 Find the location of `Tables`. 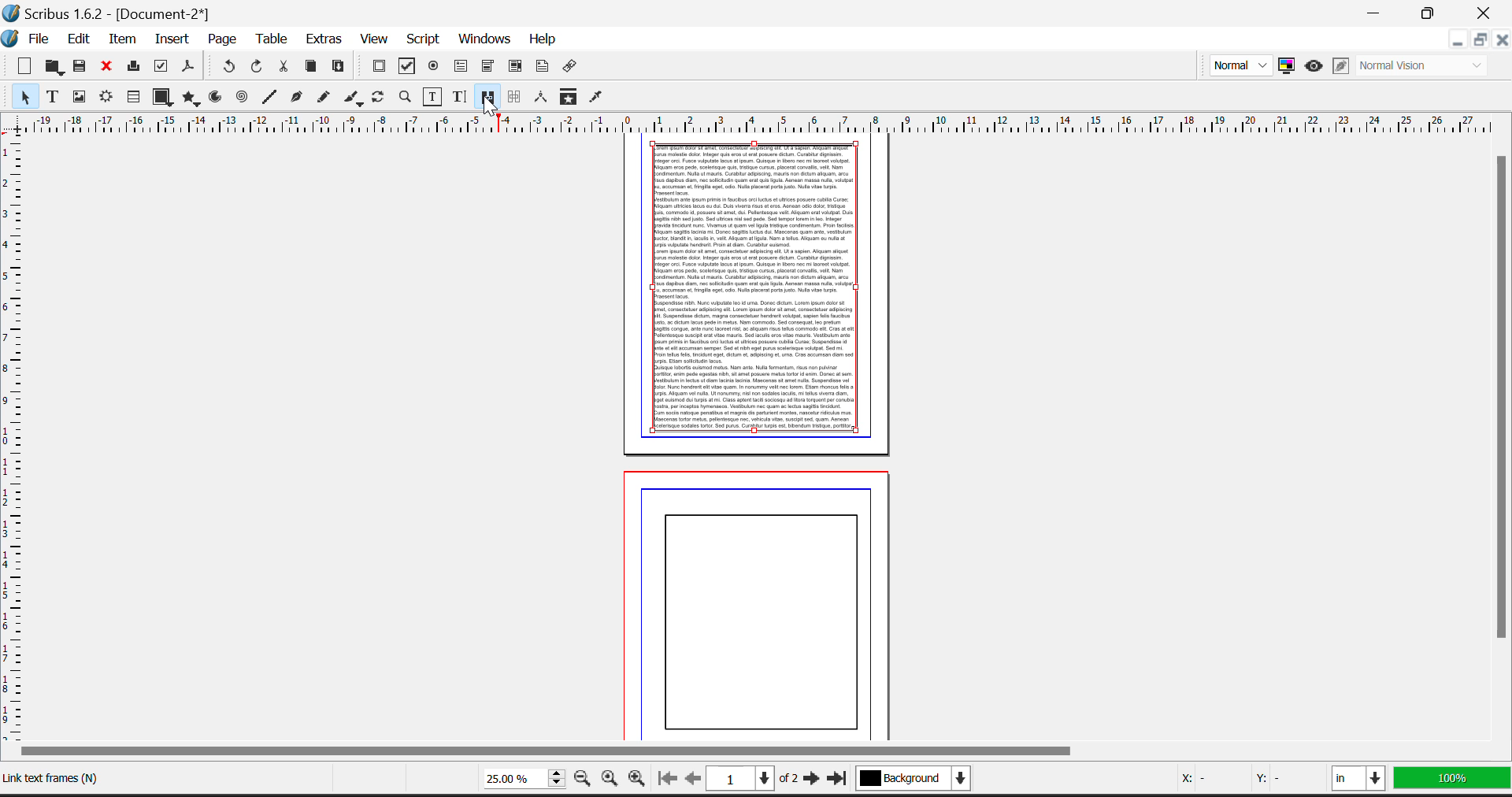

Tables is located at coordinates (133, 98).